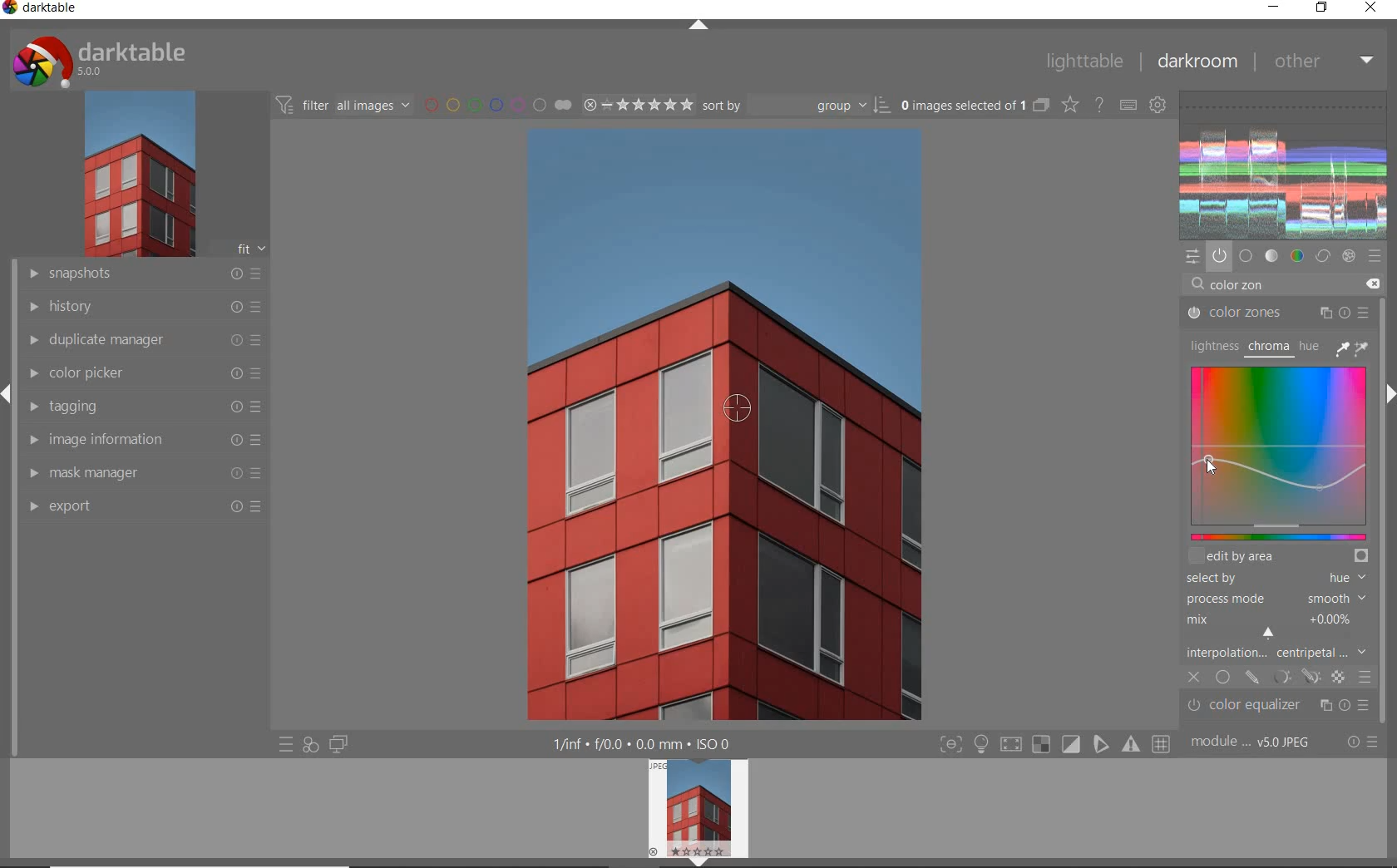  I want to click on quick access to presets, so click(286, 746).